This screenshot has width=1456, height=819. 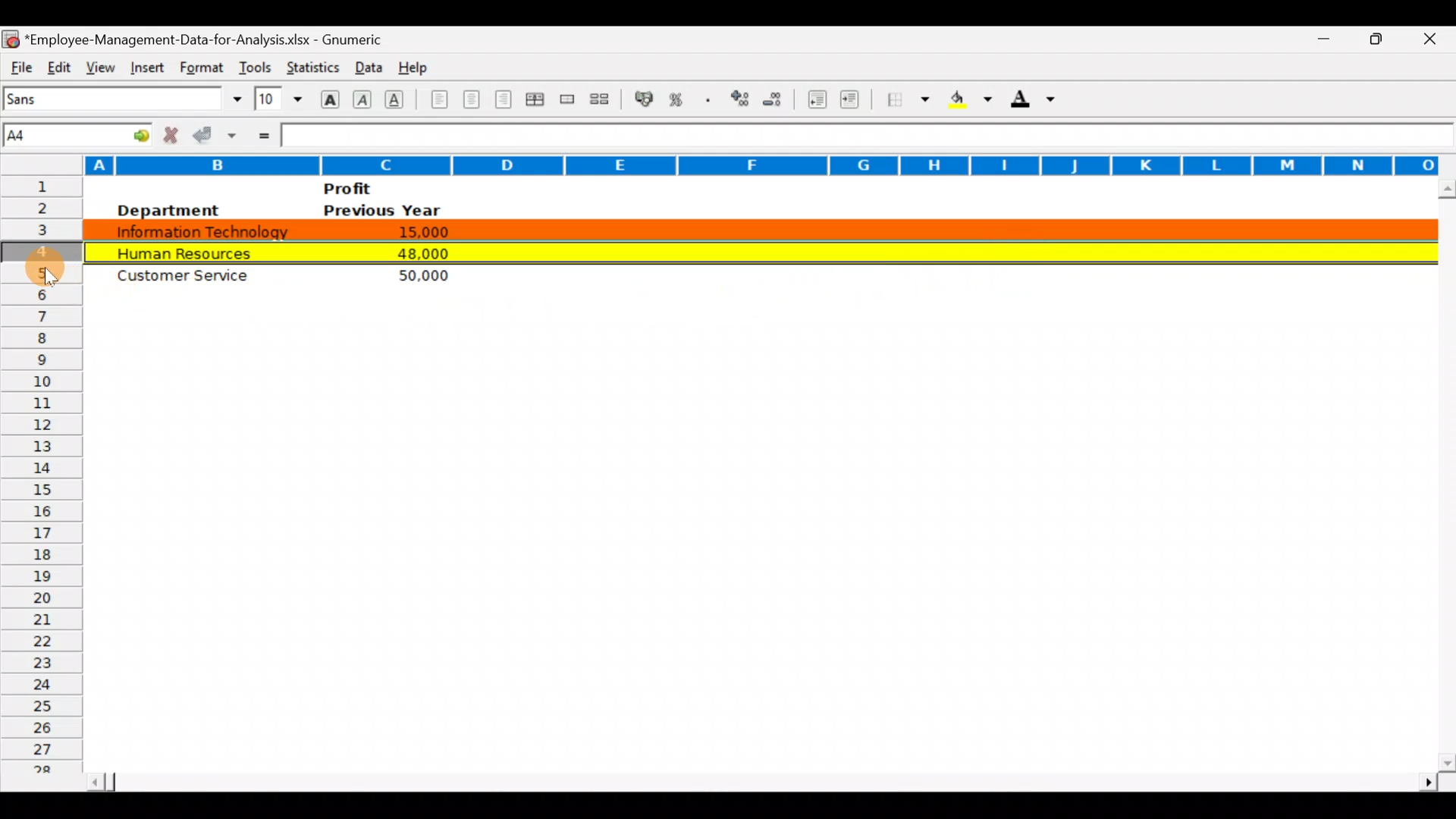 I want to click on Scroll bar, so click(x=759, y=777).